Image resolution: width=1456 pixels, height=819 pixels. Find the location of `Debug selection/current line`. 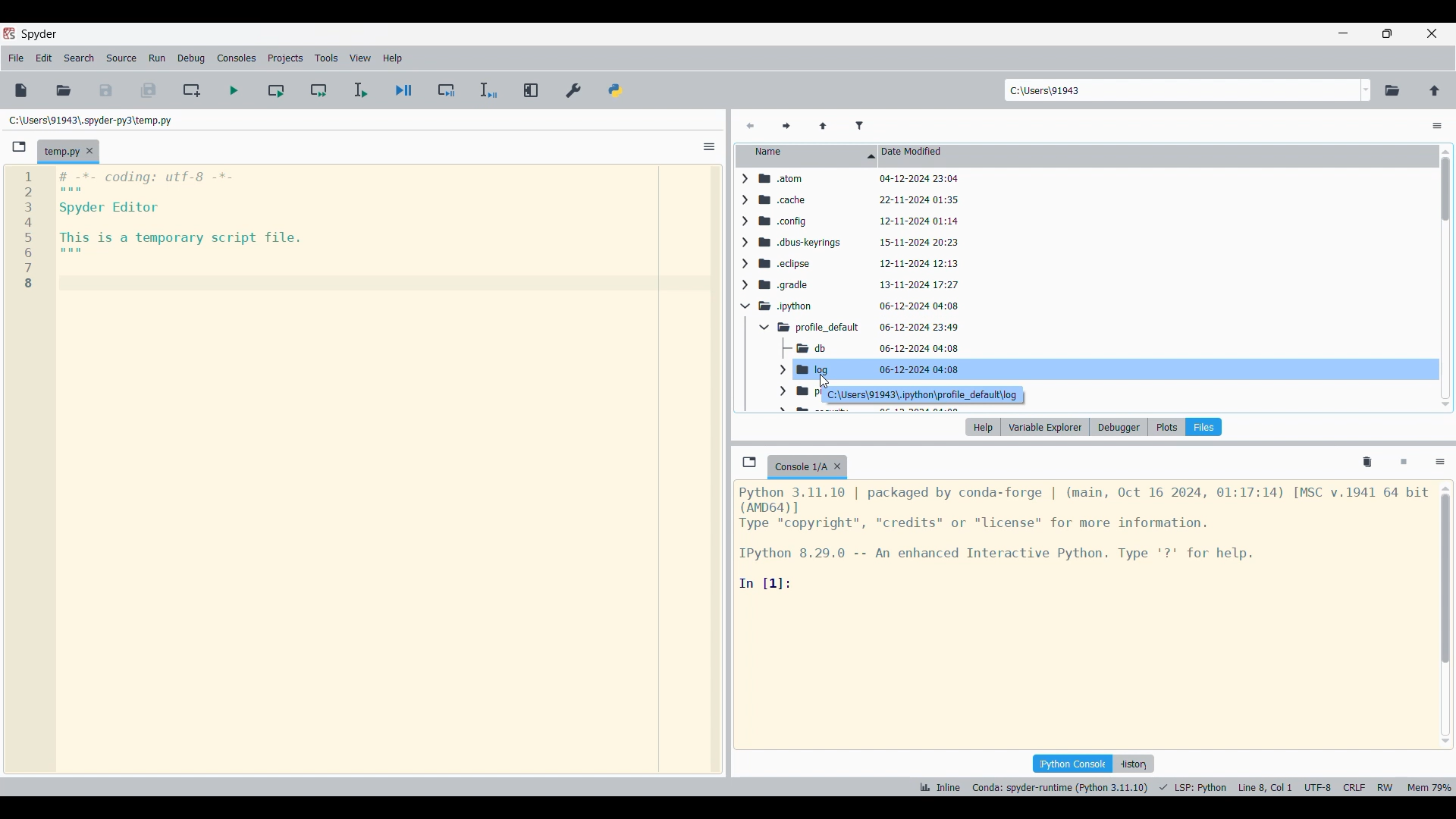

Debug selection/current line is located at coordinates (488, 90).